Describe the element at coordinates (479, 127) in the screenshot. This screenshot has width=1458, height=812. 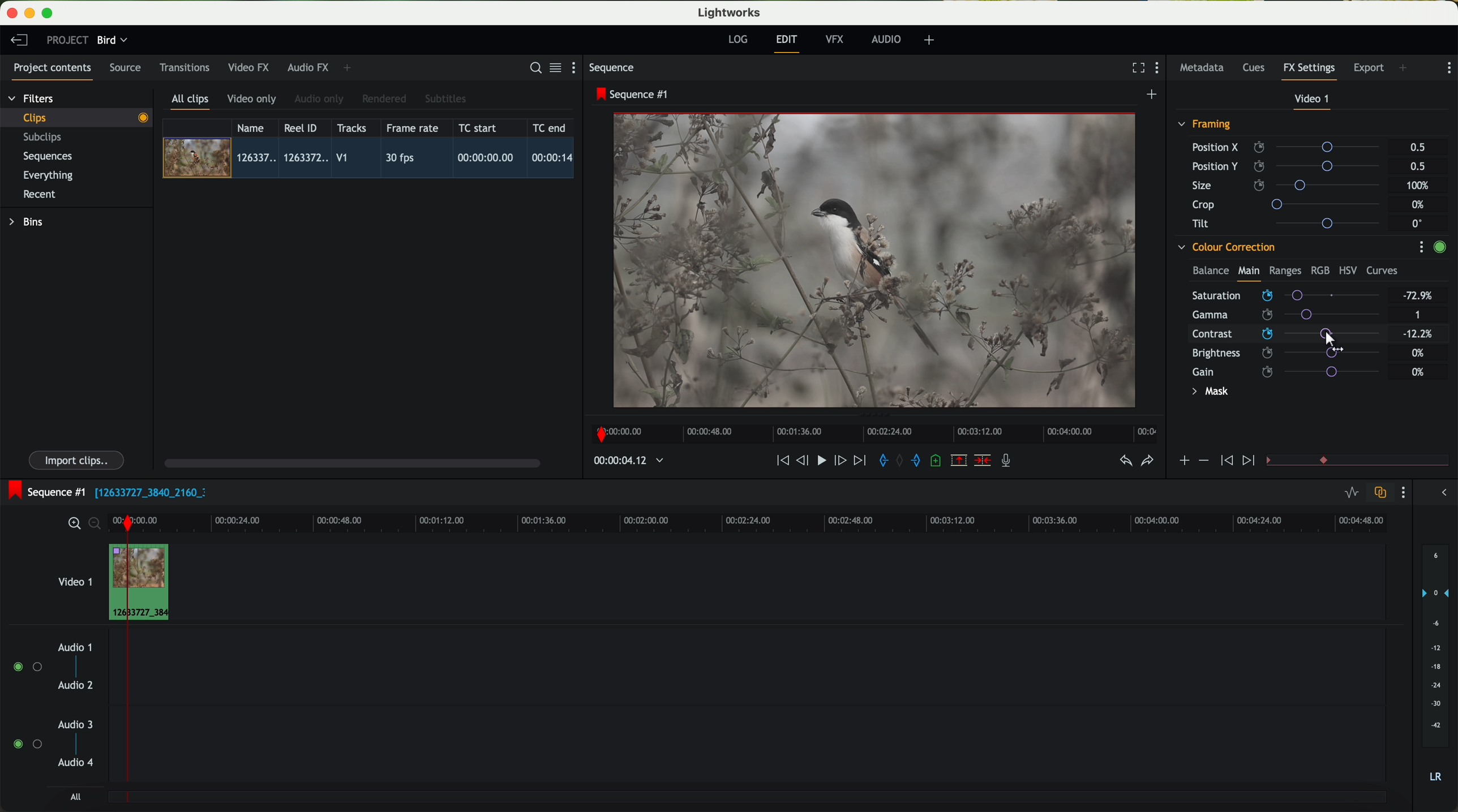
I see `TC start` at that location.